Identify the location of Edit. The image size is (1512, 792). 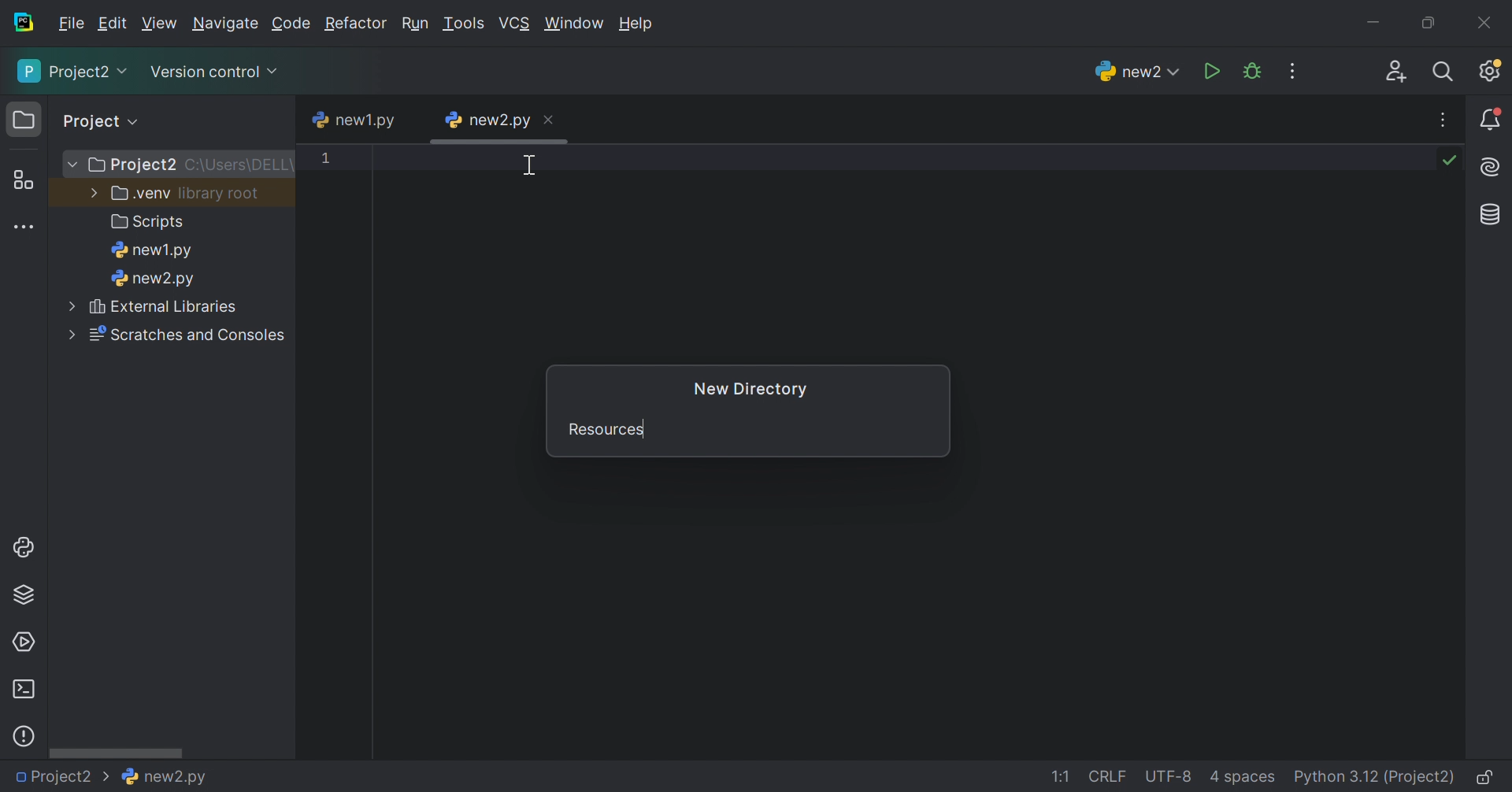
(113, 23).